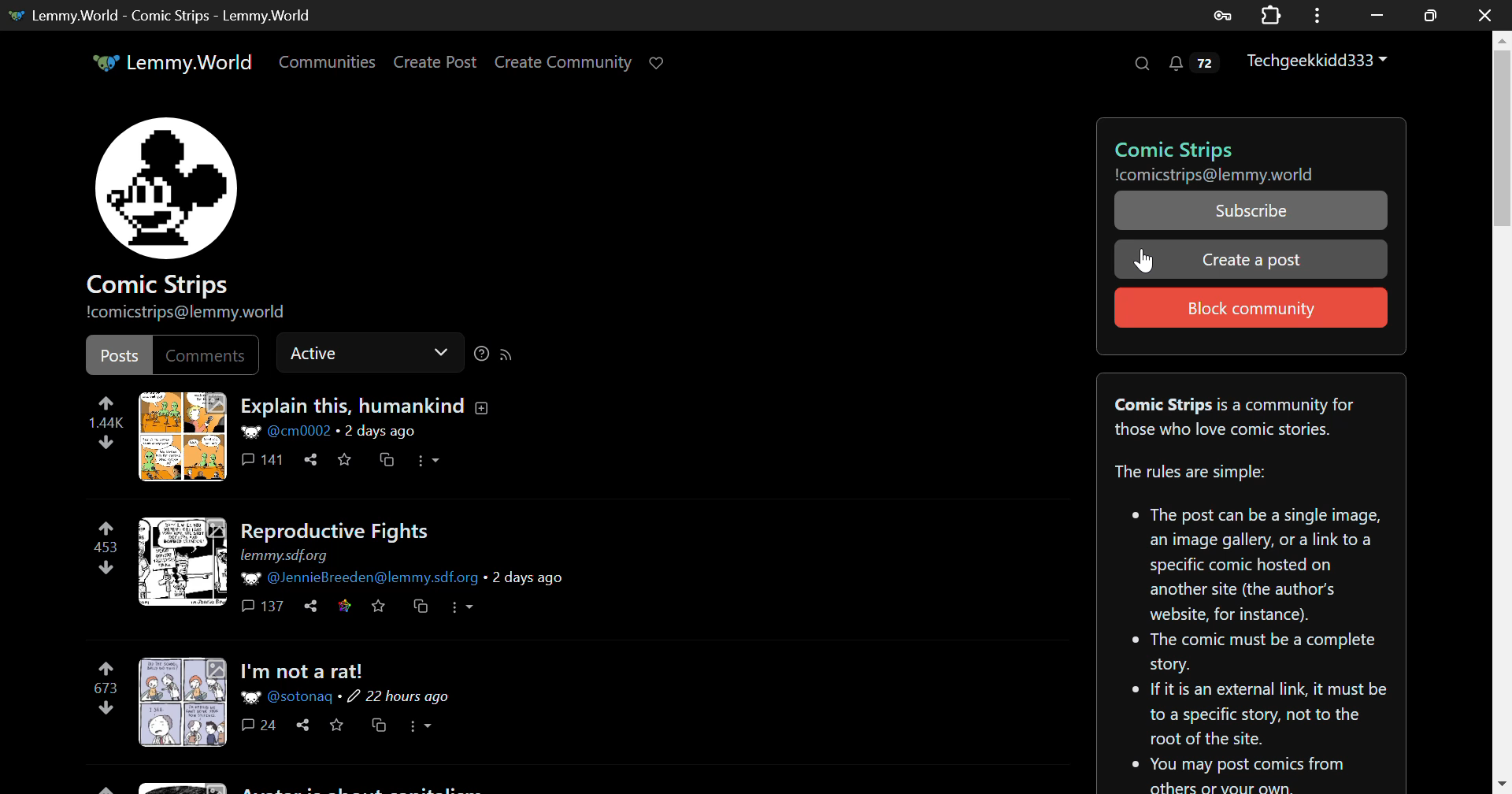 The image size is (1512, 794). What do you see at coordinates (183, 436) in the screenshot?
I see `Post Media` at bounding box center [183, 436].